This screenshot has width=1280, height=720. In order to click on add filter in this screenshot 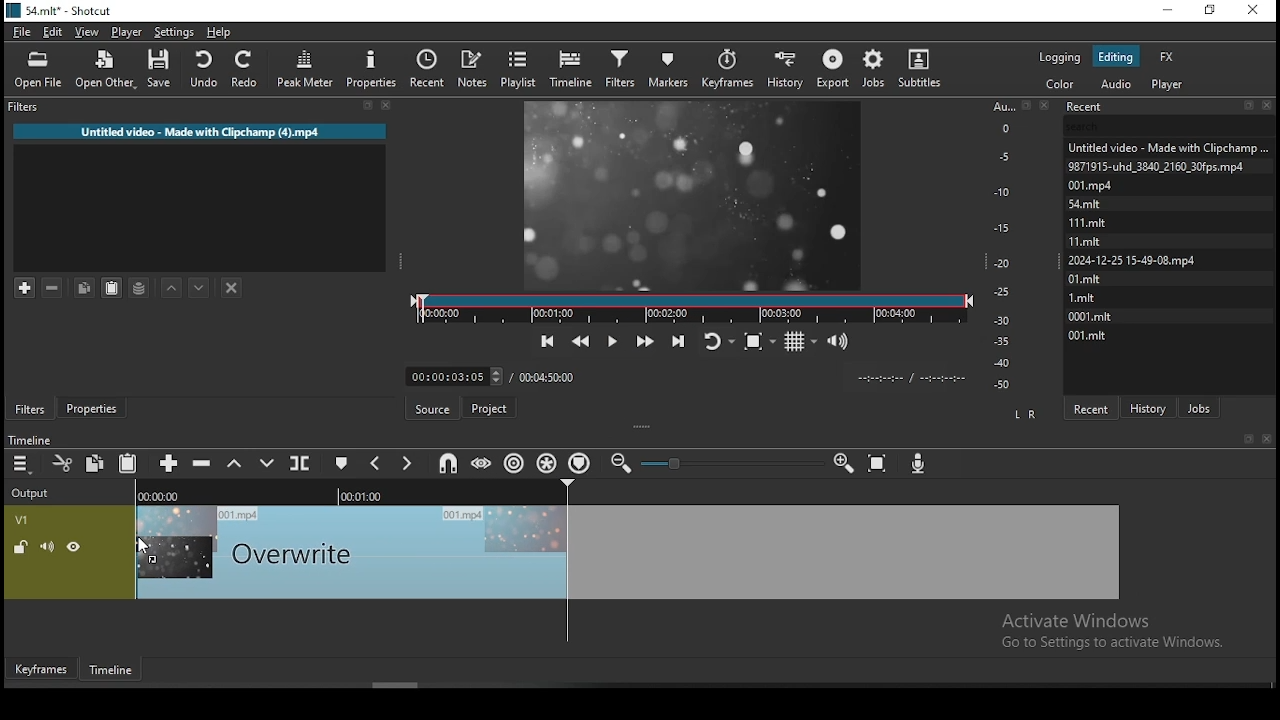, I will do `click(25, 285)`.